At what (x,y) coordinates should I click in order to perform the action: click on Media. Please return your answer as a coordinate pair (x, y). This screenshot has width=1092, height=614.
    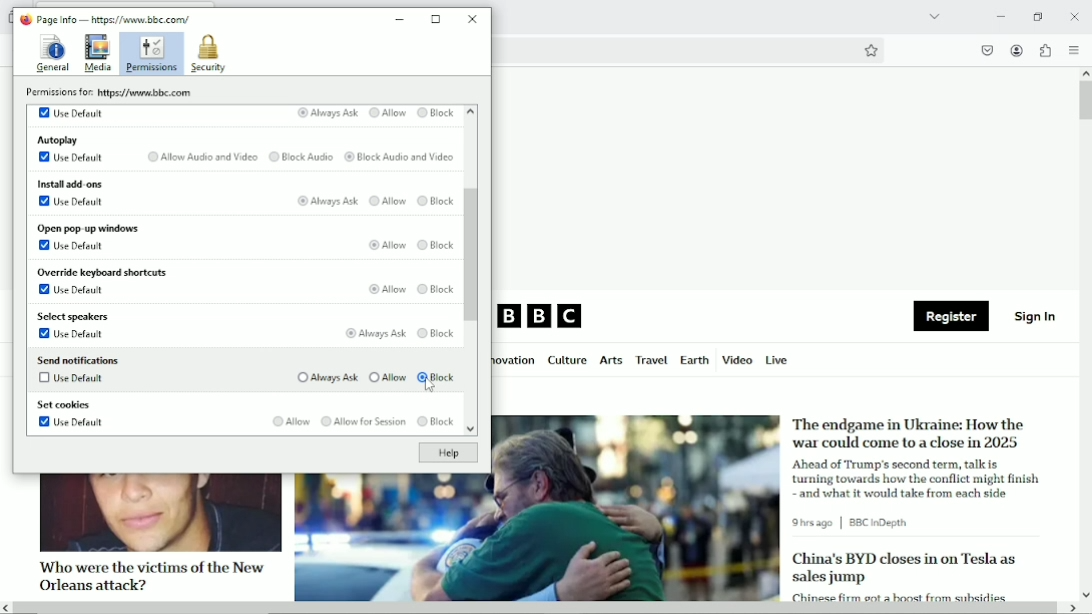
    Looking at the image, I should click on (98, 54).